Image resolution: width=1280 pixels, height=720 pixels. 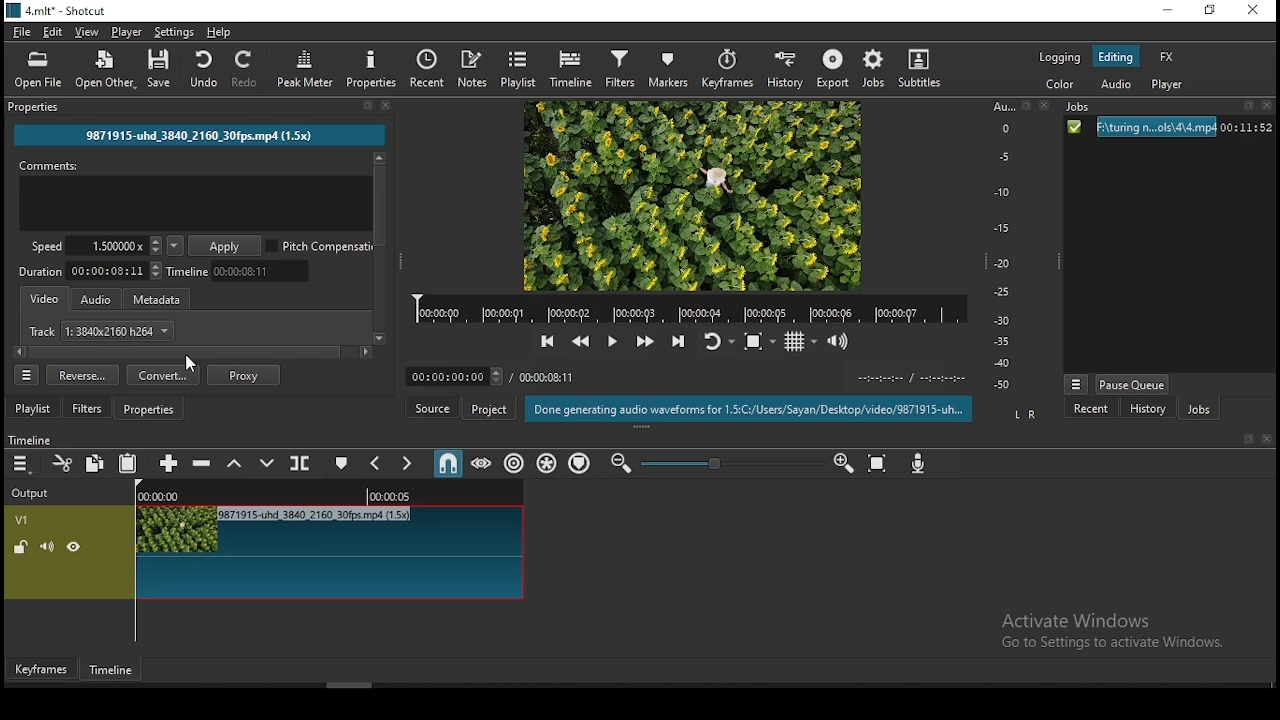 I want to click on copy, so click(x=95, y=464).